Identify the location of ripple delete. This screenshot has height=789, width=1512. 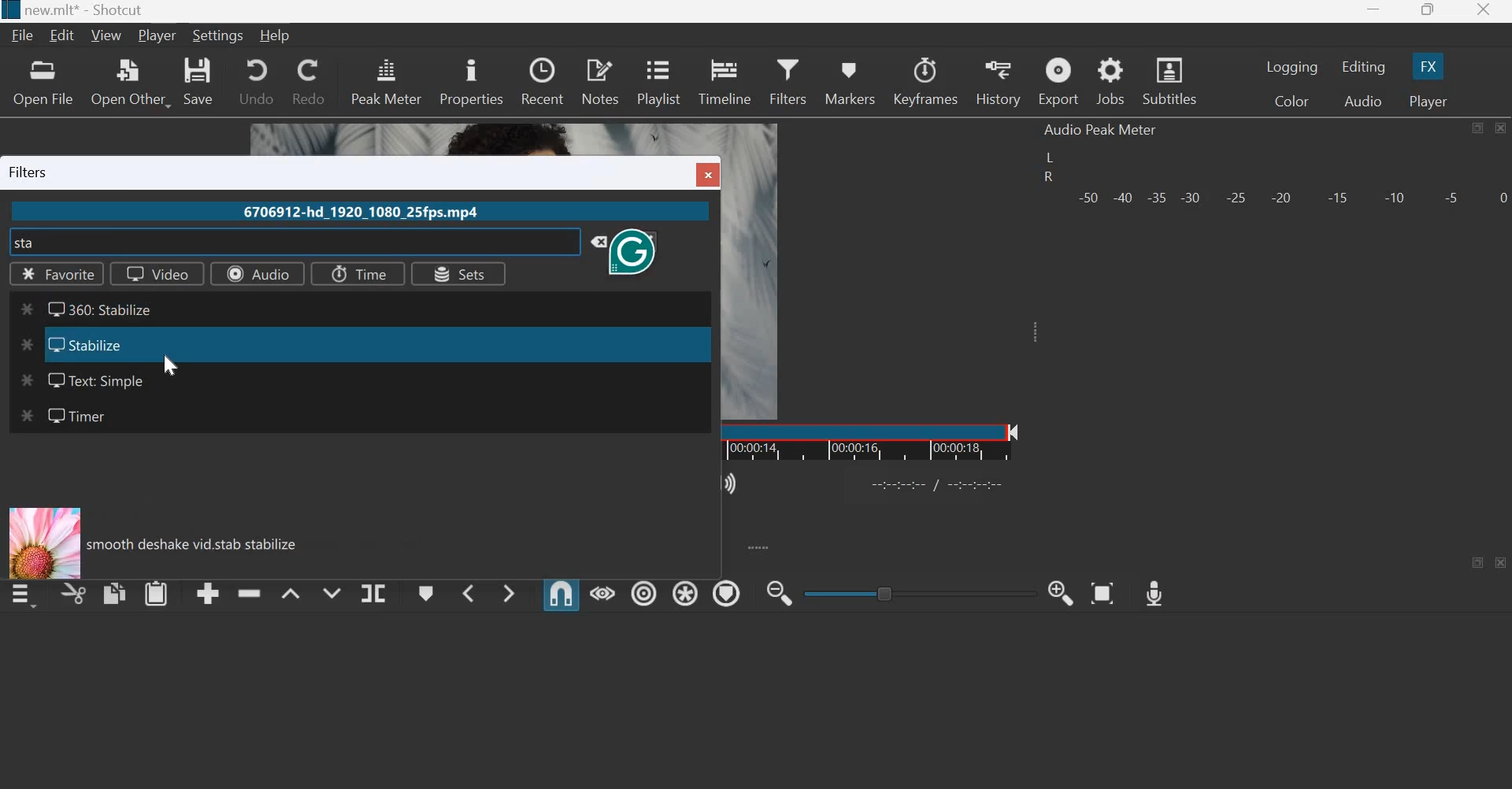
(249, 592).